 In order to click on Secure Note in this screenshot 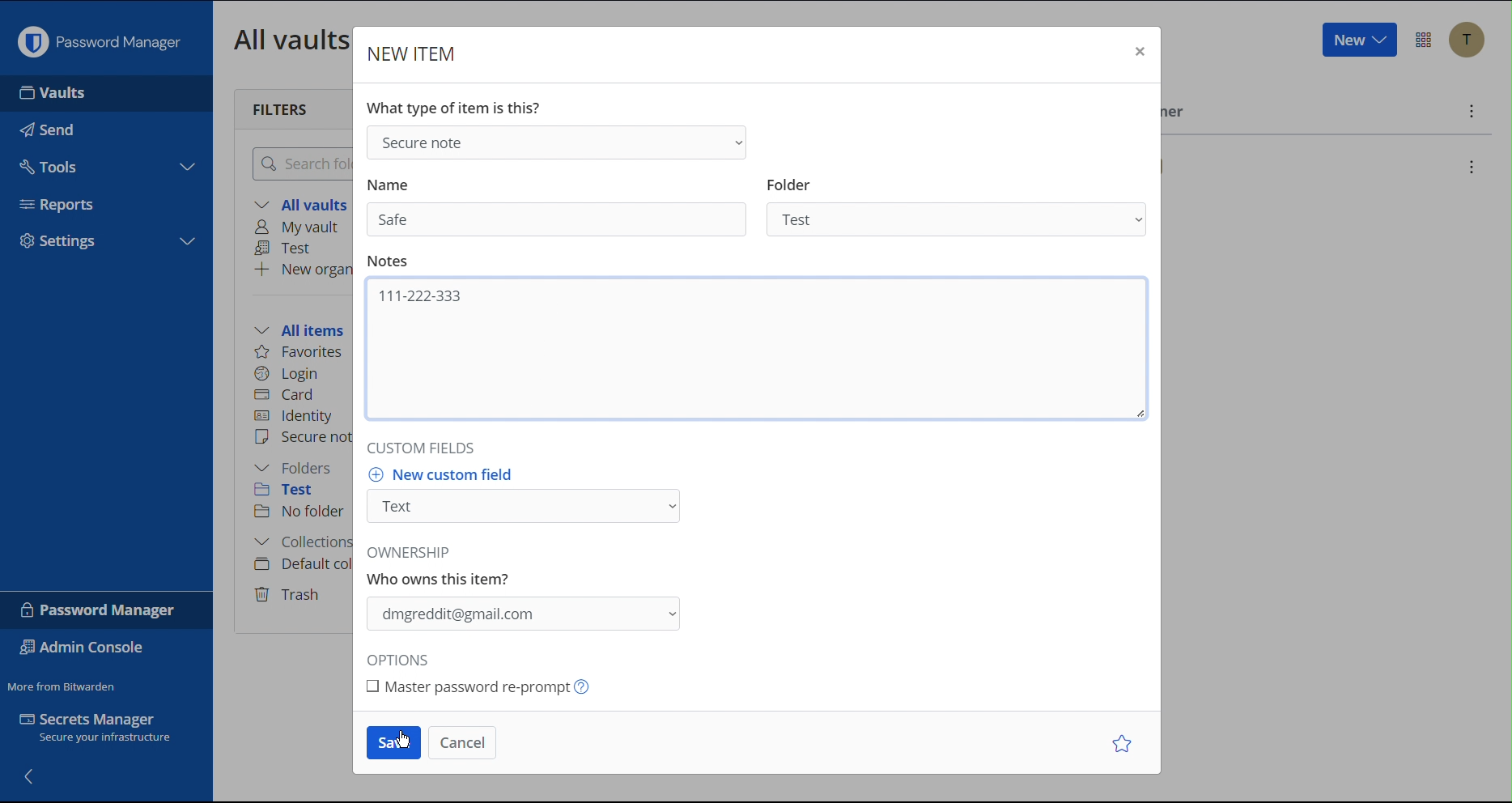, I will do `click(554, 141)`.